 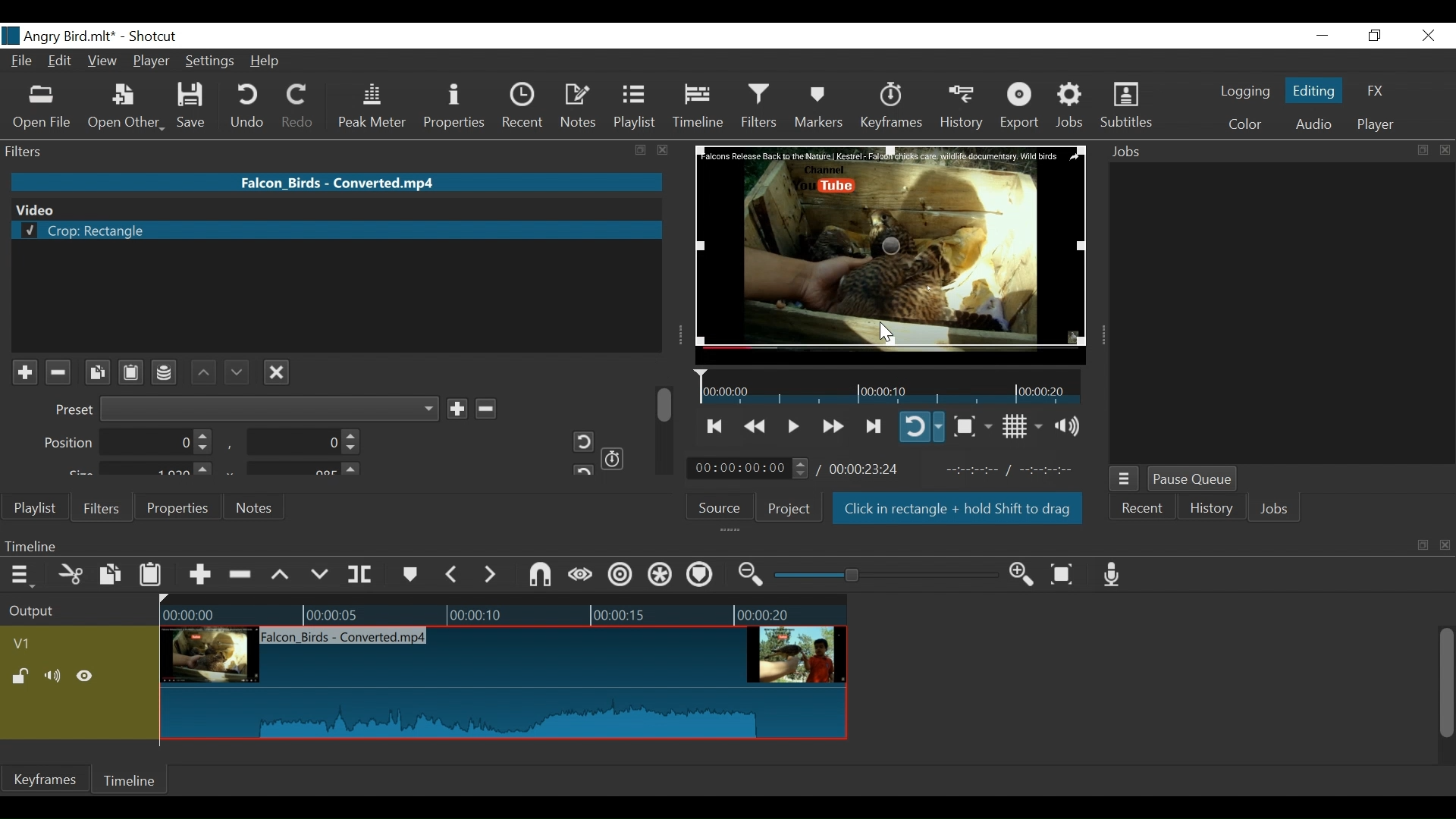 What do you see at coordinates (831, 428) in the screenshot?
I see `play forward quickly` at bounding box center [831, 428].